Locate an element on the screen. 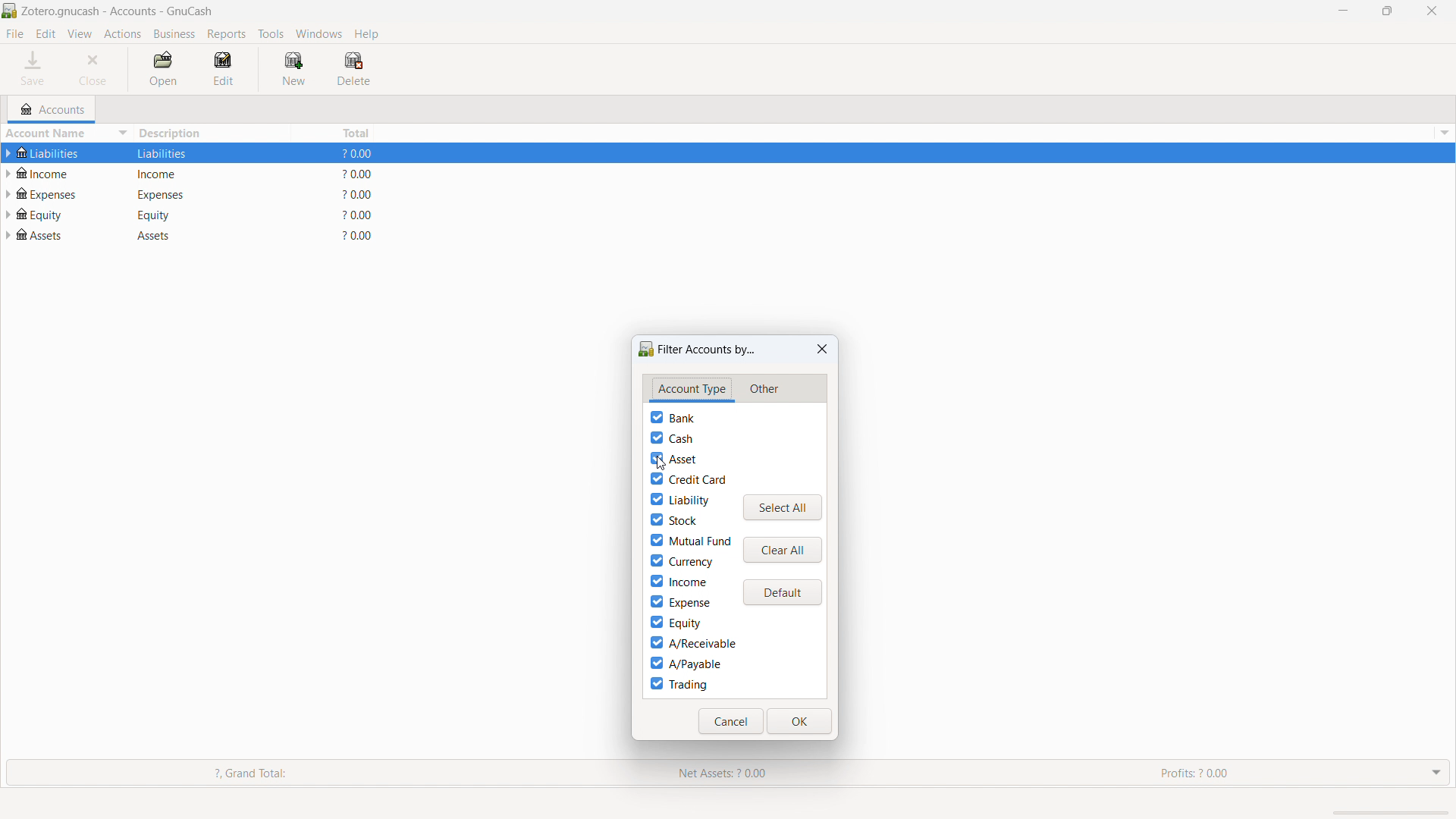 The width and height of the screenshot is (1456, 819). $0.00 is located at coordinates (362, 174).